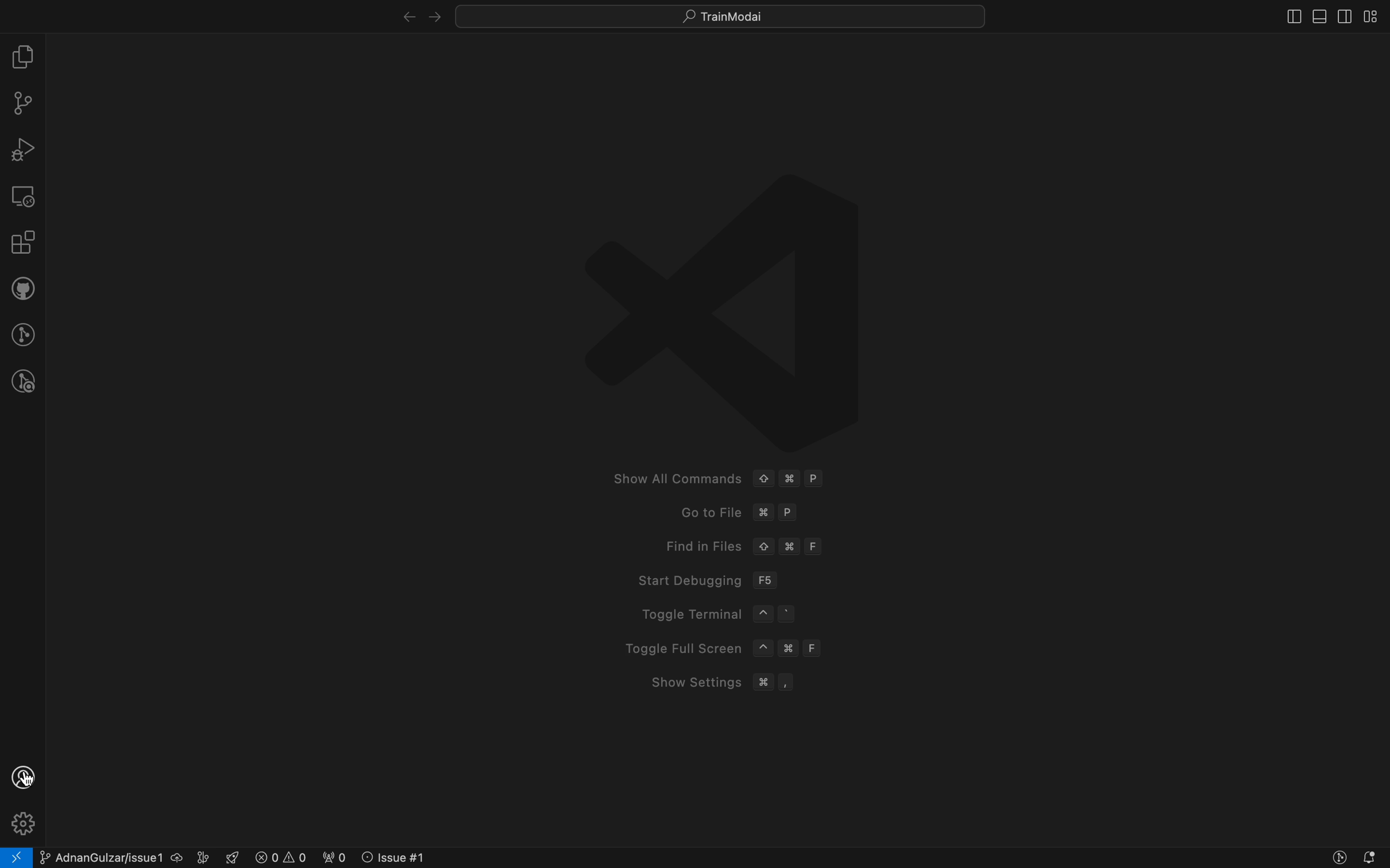 Image resolution: width=1390 pixels, height=868 pixels. Describe the element at coordinates (22, 332) in the screenshot. I see `gitlens` at that location.